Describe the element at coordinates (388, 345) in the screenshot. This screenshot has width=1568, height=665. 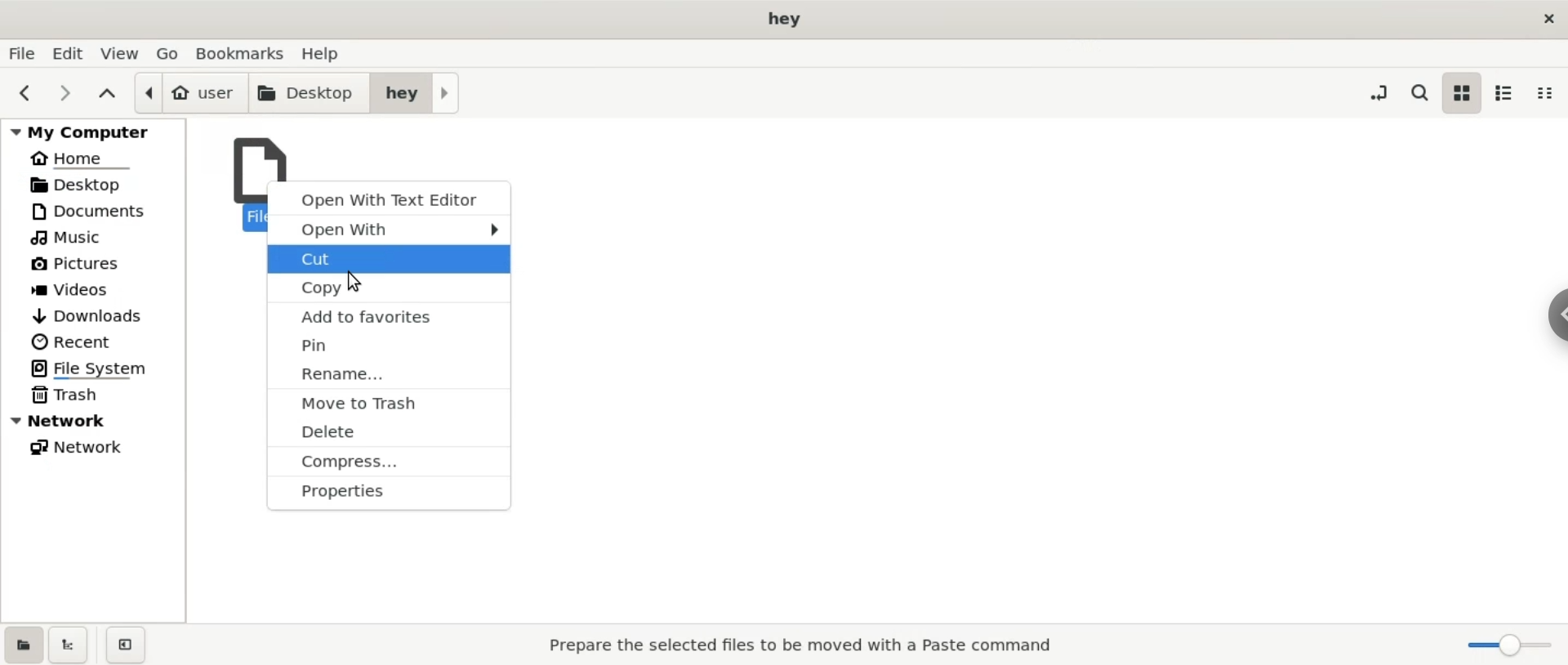
I see `pin ` at that location.